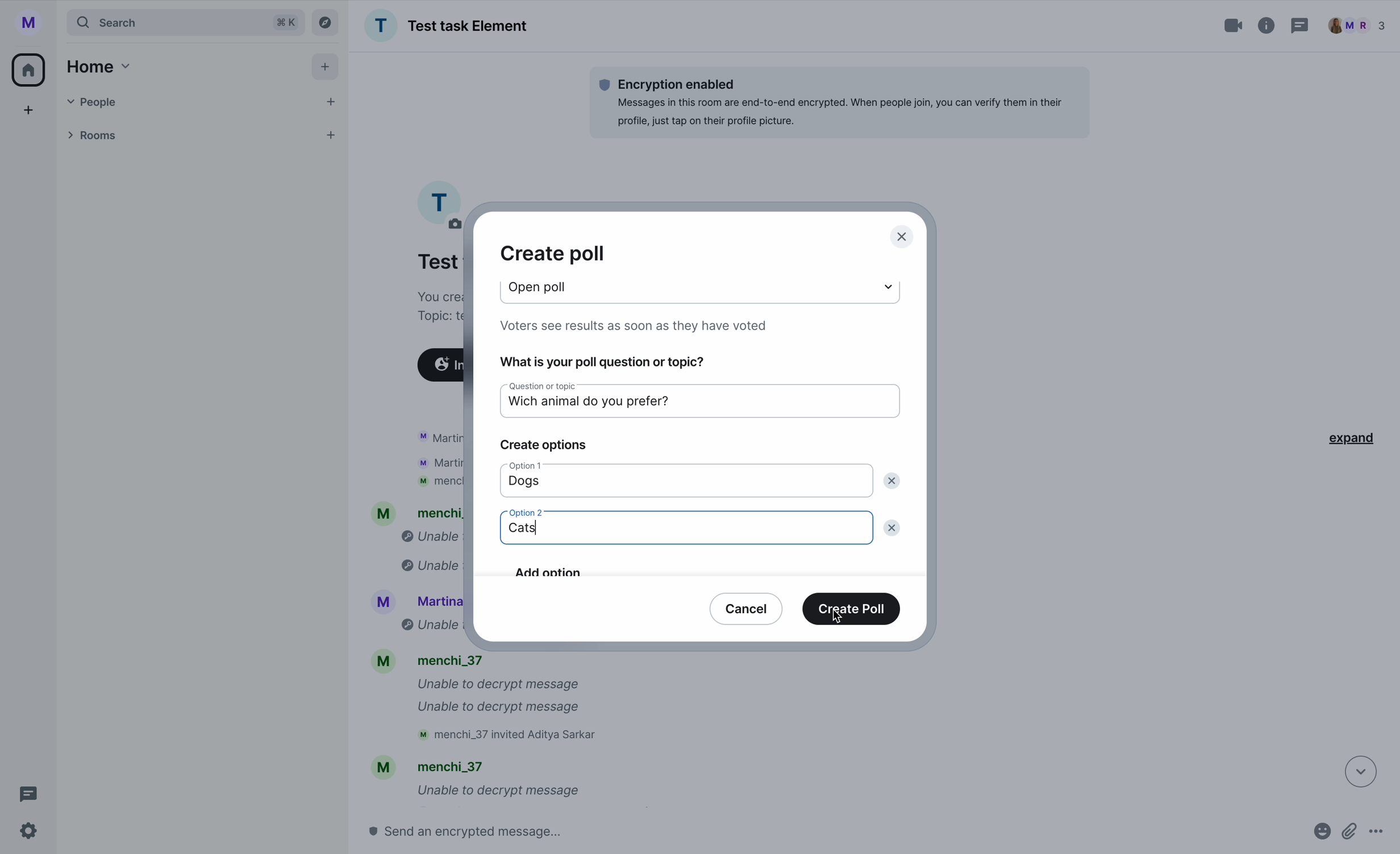 The height and width of the screenshot is (854, 1400). What do you see at coordinates (328, 22) in the screenshot?
I see `explore` at bounding box center [328, 22].